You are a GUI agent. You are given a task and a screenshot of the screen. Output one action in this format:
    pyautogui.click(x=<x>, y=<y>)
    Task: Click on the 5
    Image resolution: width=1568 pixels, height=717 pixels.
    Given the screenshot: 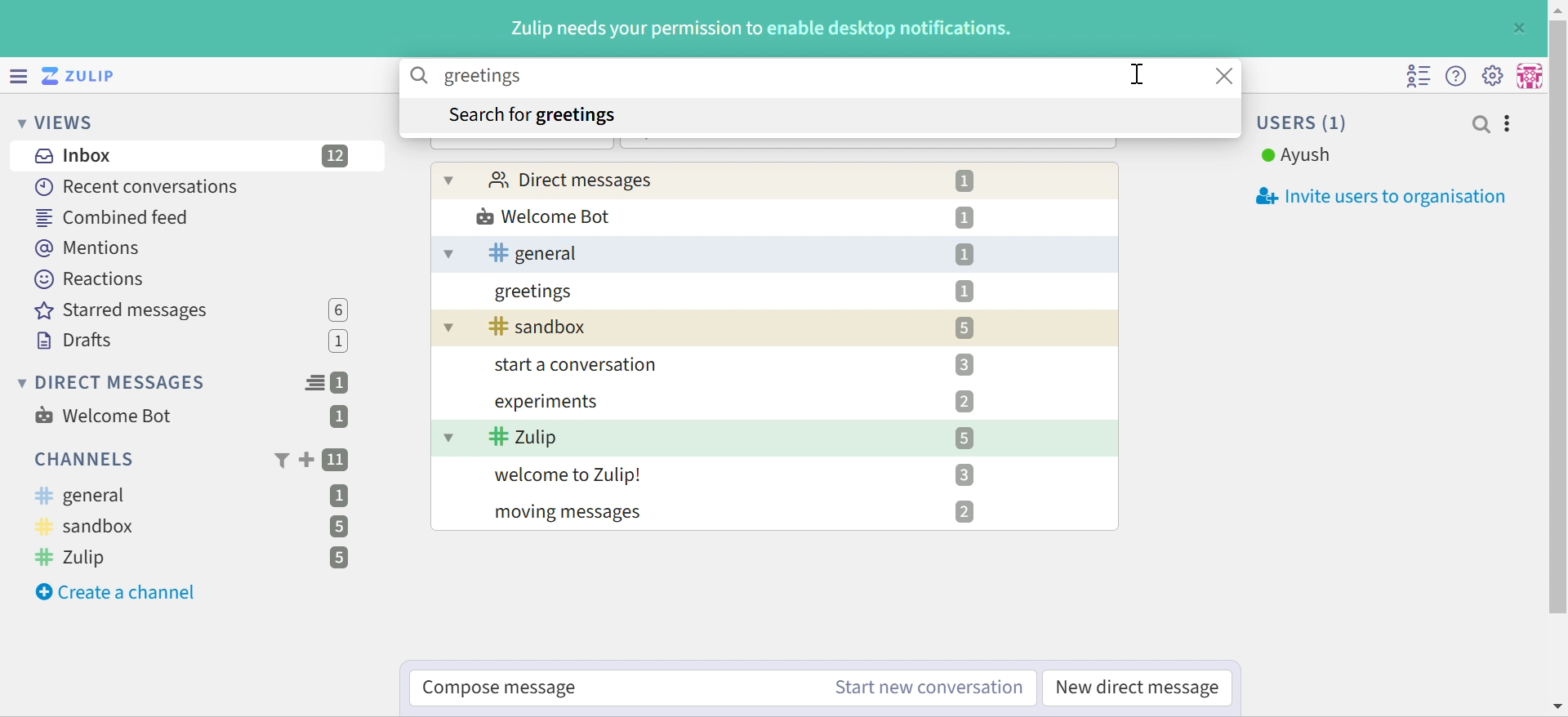 What is the action you would take?
    pyautogui.click(x=964, y=438)
    